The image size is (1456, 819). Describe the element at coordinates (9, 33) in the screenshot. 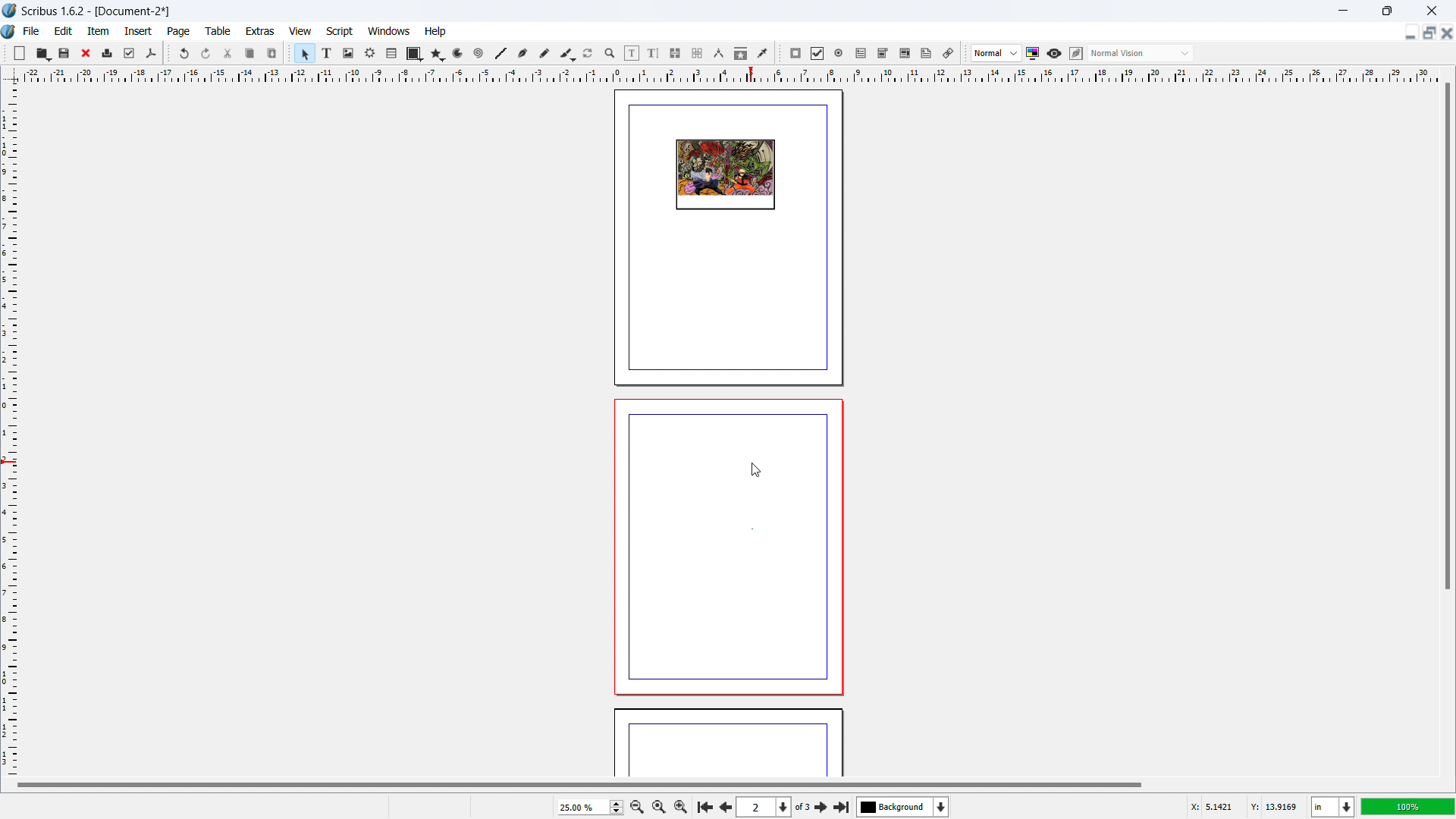

I see `logo` at that location.